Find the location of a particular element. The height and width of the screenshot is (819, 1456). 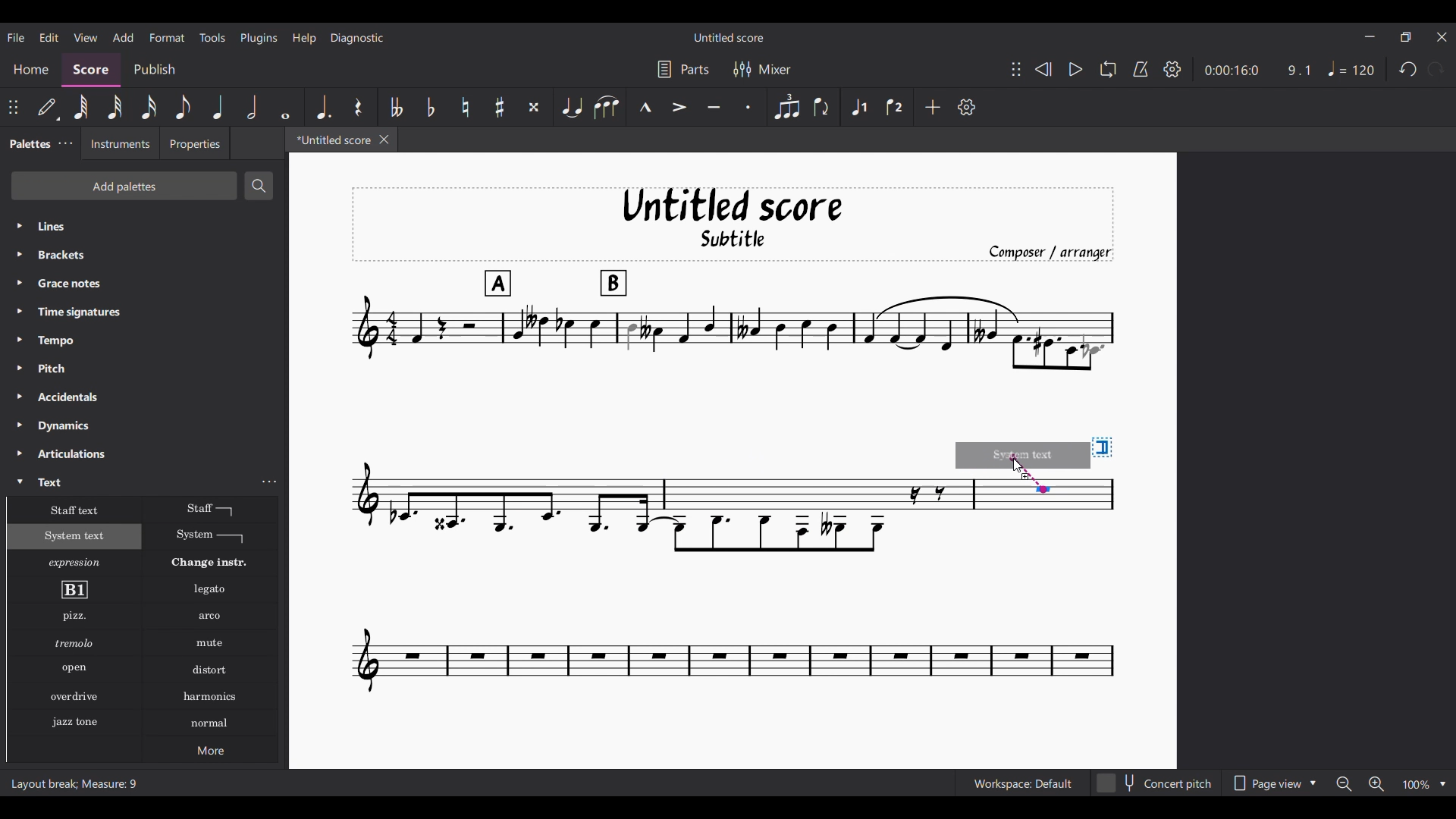

Half note is located at coordinates (252, 106).